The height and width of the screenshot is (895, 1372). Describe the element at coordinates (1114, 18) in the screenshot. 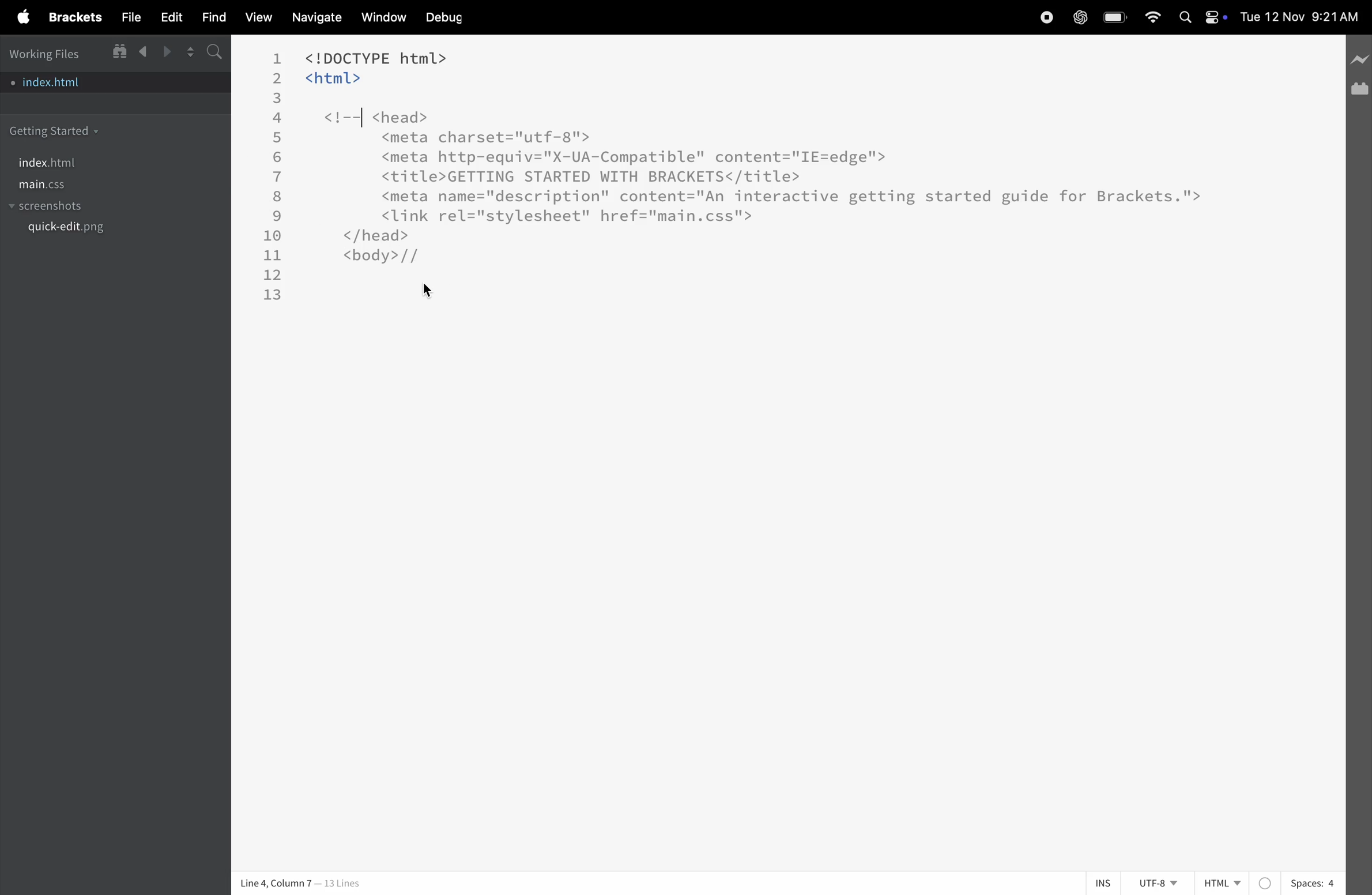

I see `battery` at that location.